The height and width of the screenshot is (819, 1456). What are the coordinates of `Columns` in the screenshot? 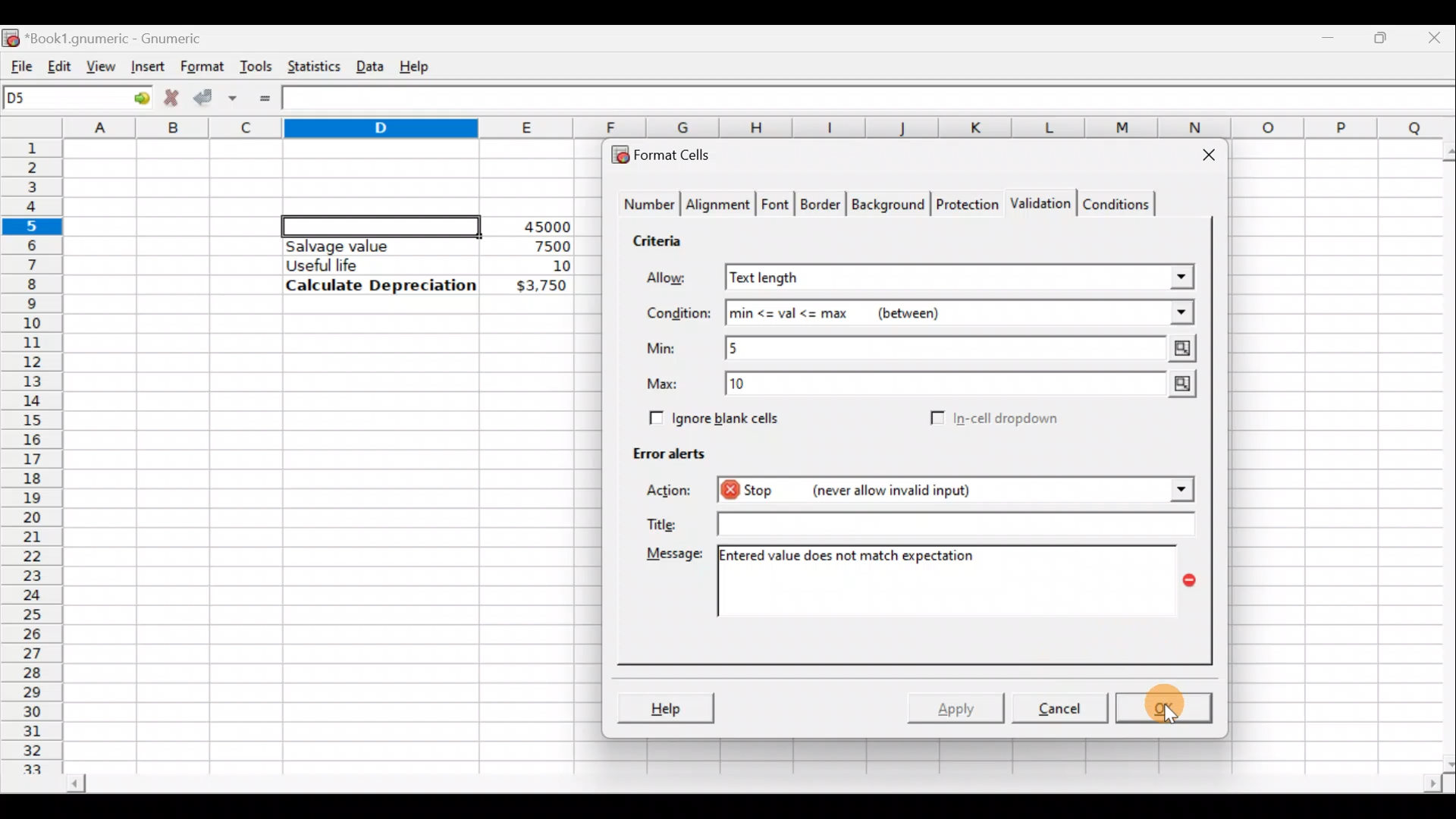 It's located at (761, 128).